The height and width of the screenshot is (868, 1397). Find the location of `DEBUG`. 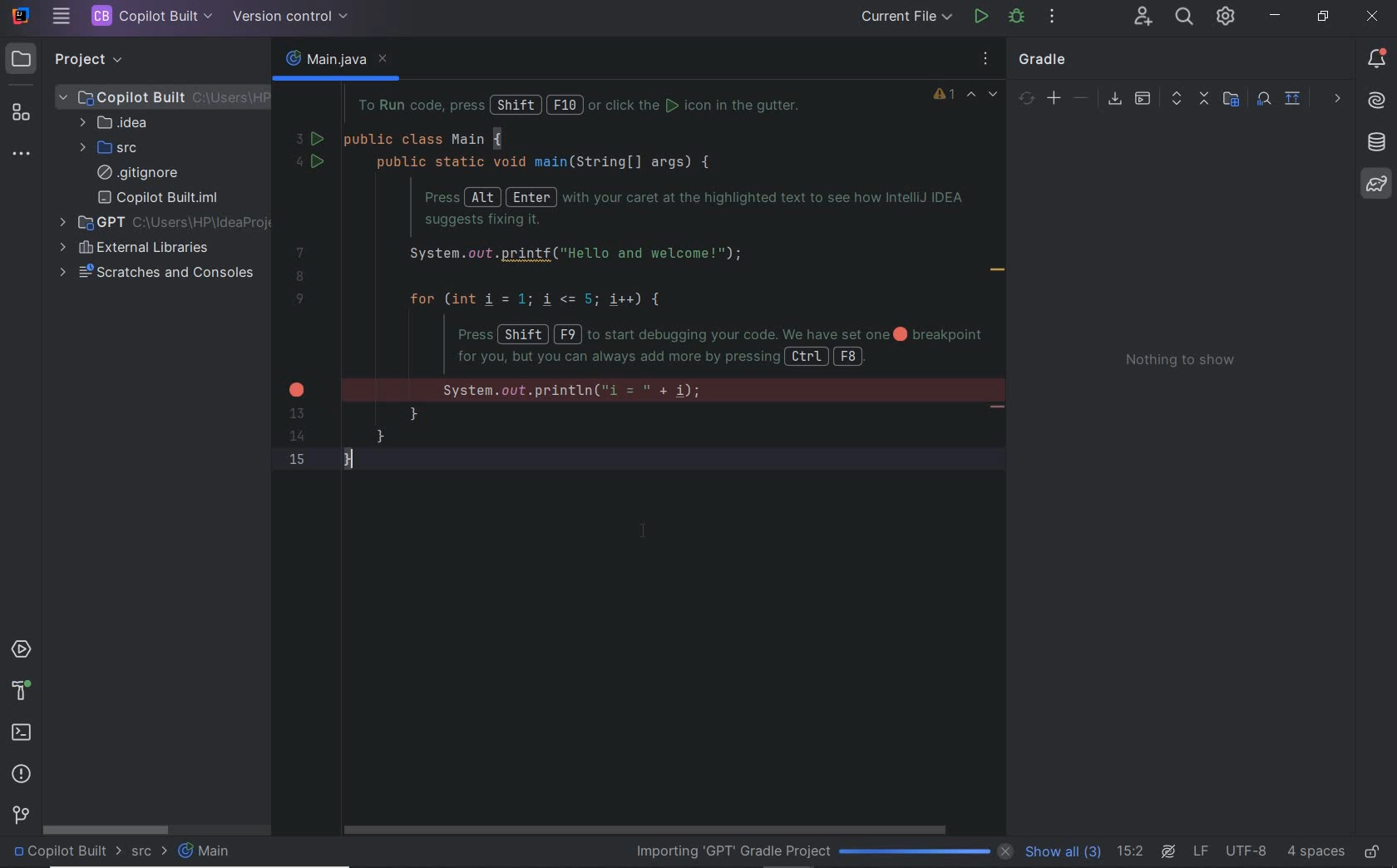

DEBUG is located at coordinates (1017, 17).